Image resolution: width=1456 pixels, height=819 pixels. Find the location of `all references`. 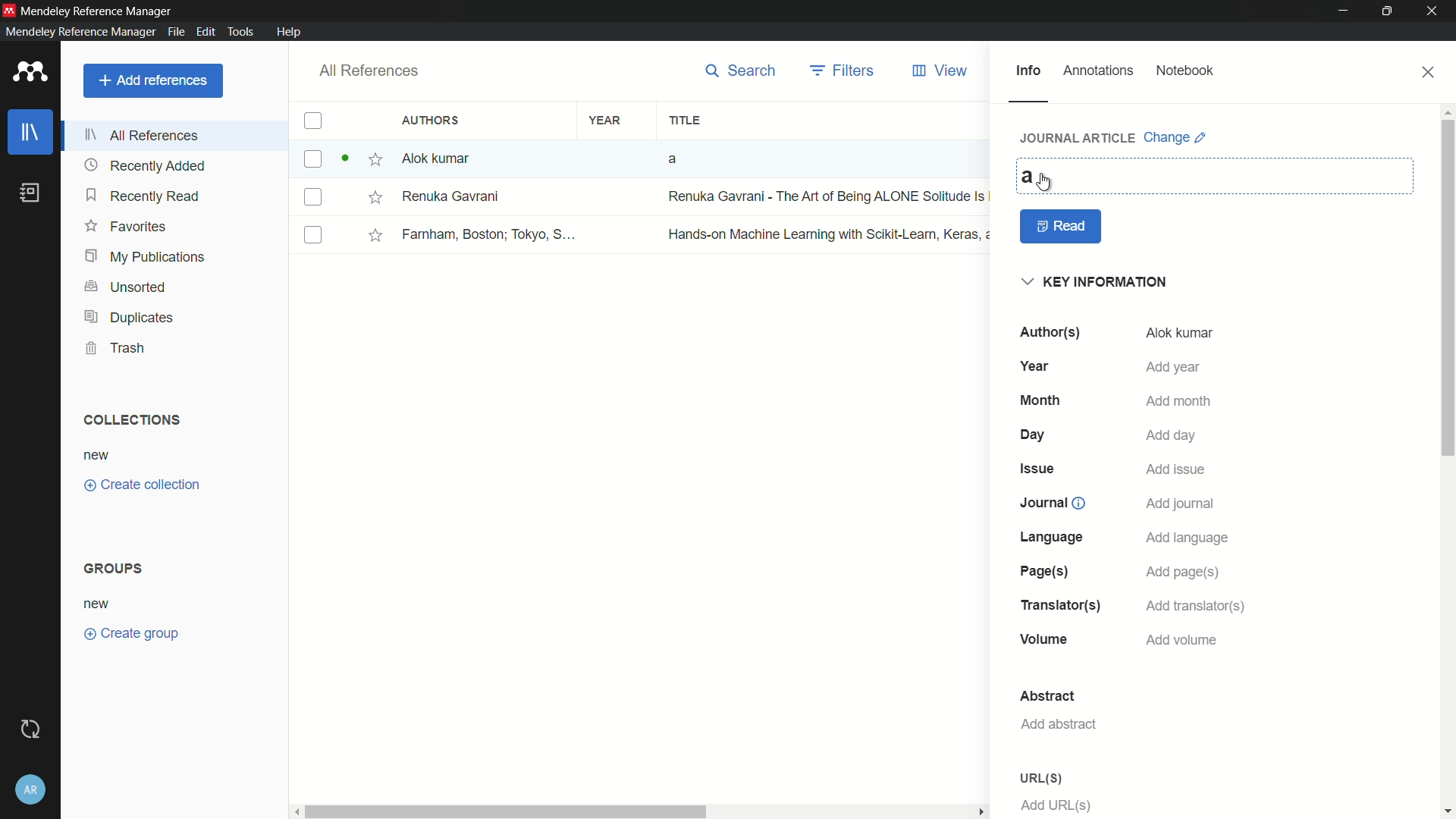

all references is located at coordinates (366, 71).